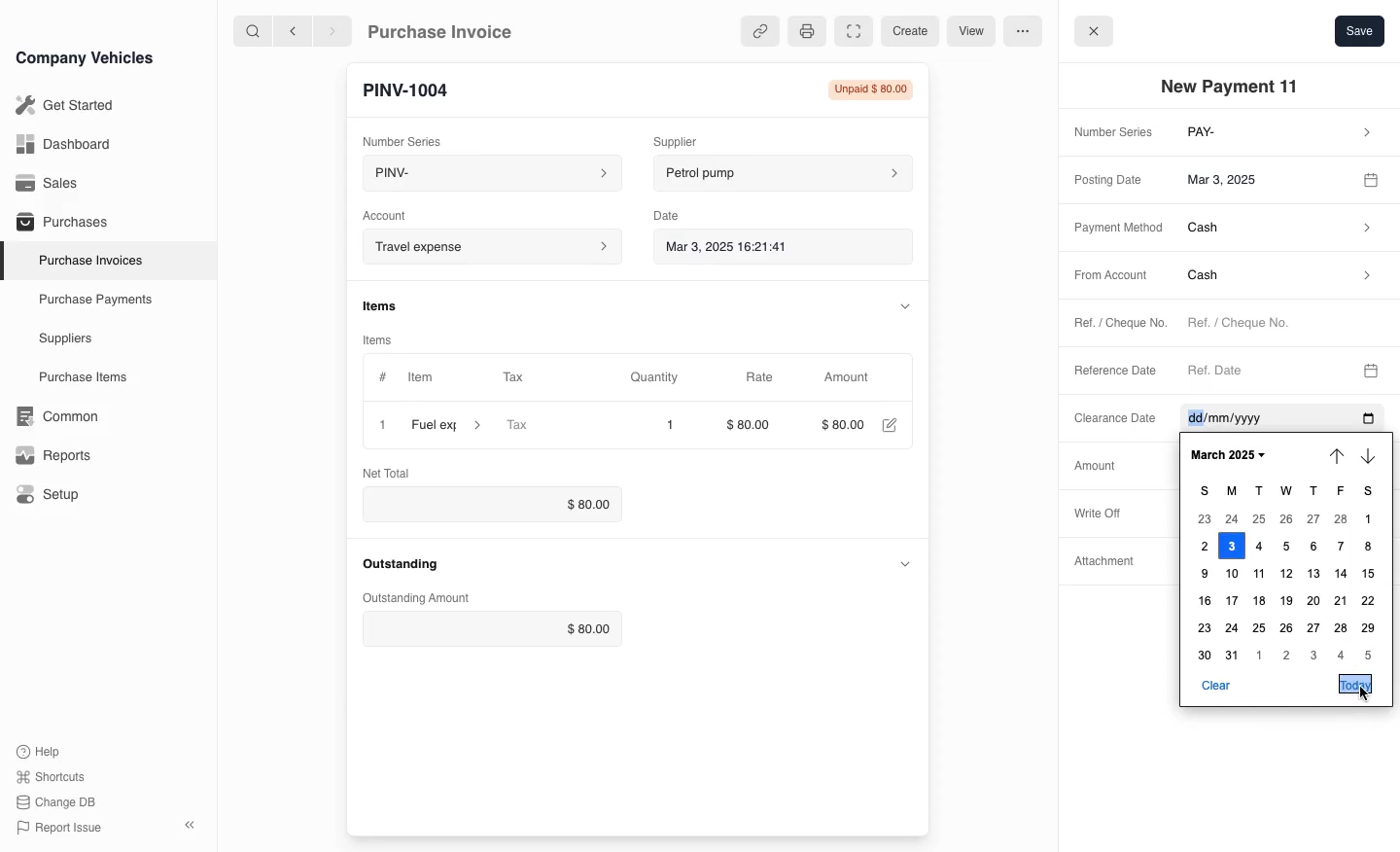 This screenshot has width=1400, height=852. What do you see at coordinates (864, 89) in the screenshot?
I see `unpaid` at bounding box center [864, 89].